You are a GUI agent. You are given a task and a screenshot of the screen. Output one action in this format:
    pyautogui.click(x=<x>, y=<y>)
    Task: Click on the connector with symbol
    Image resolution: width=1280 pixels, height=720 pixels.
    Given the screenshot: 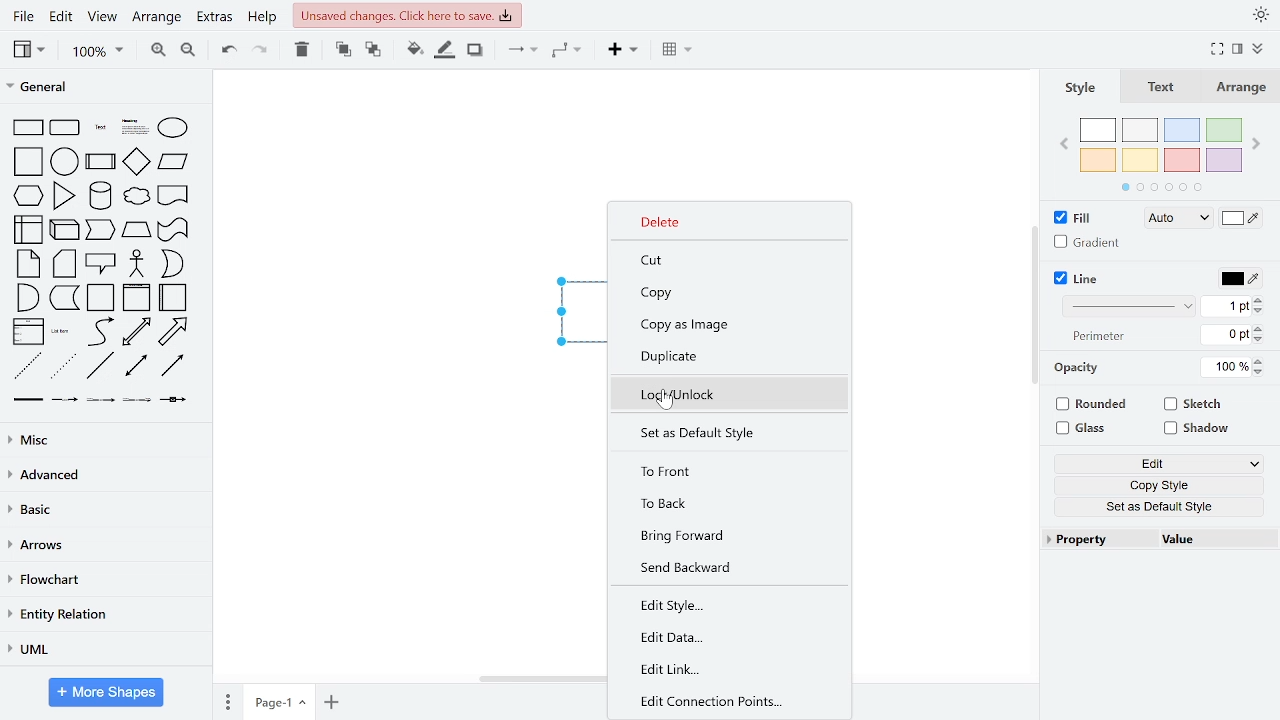 What is the action you would take?
    pyautogui.click(x=175, y=400)
    